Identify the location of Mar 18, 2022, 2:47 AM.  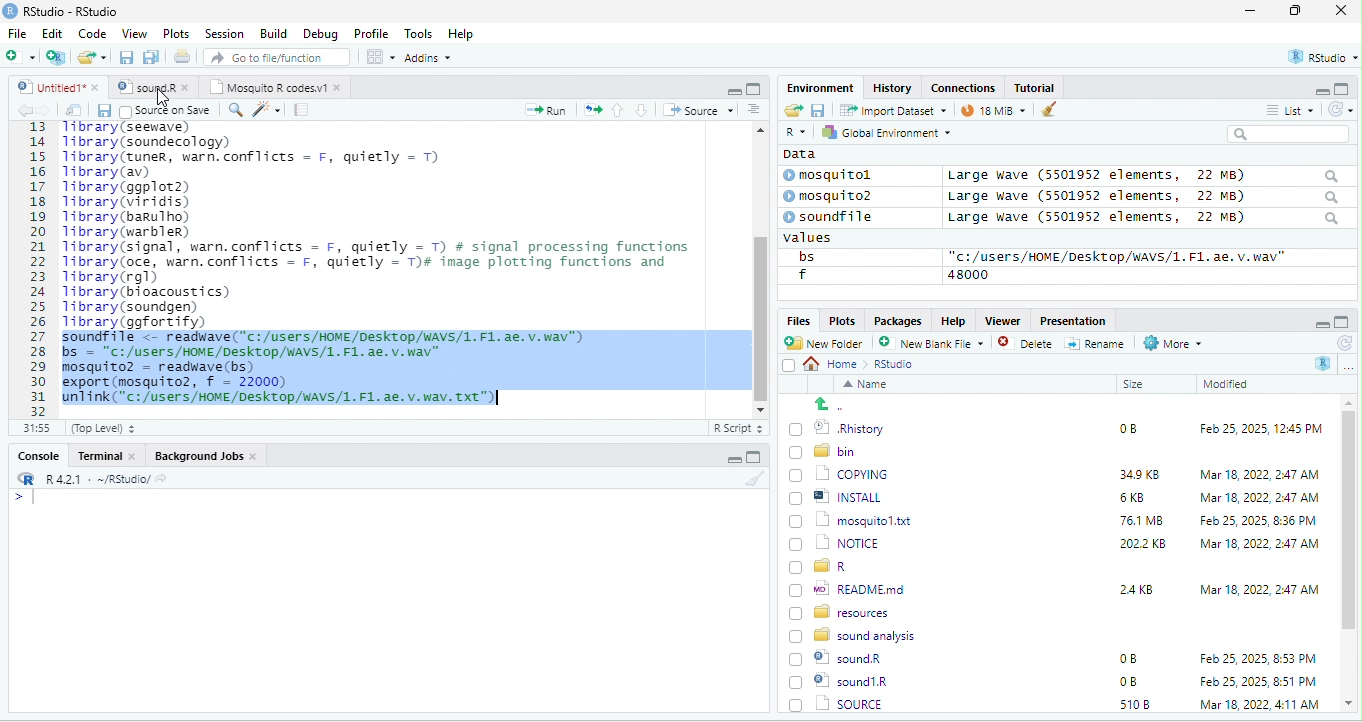
(1254, 499).